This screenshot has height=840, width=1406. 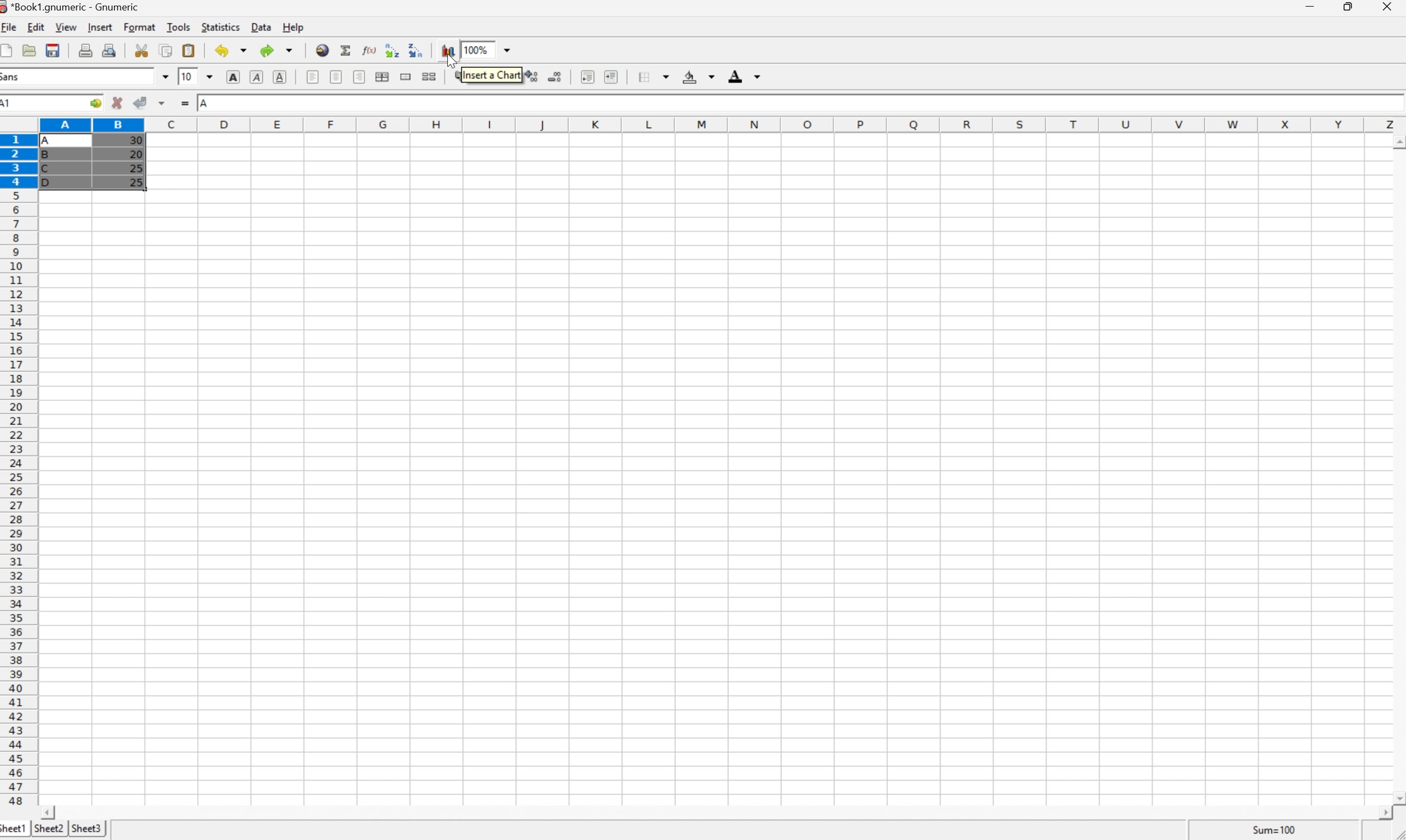 What do you see at coordinates (48, 169) in the screenshot?
I see `C` at bounding box center [48, 169].